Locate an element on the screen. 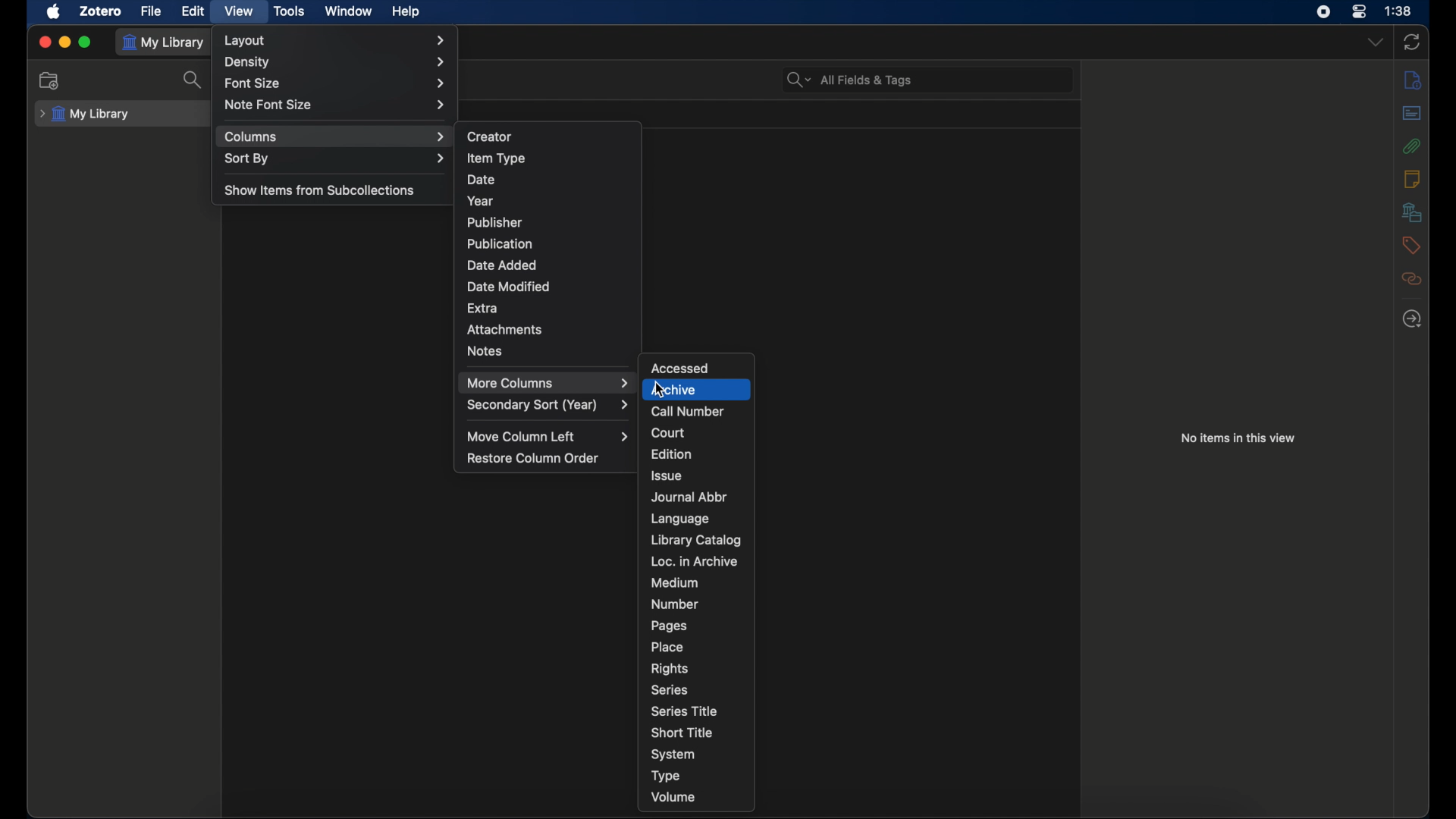 This screenshot has width=1456, height=819. window is located at coordinates (349, 11).